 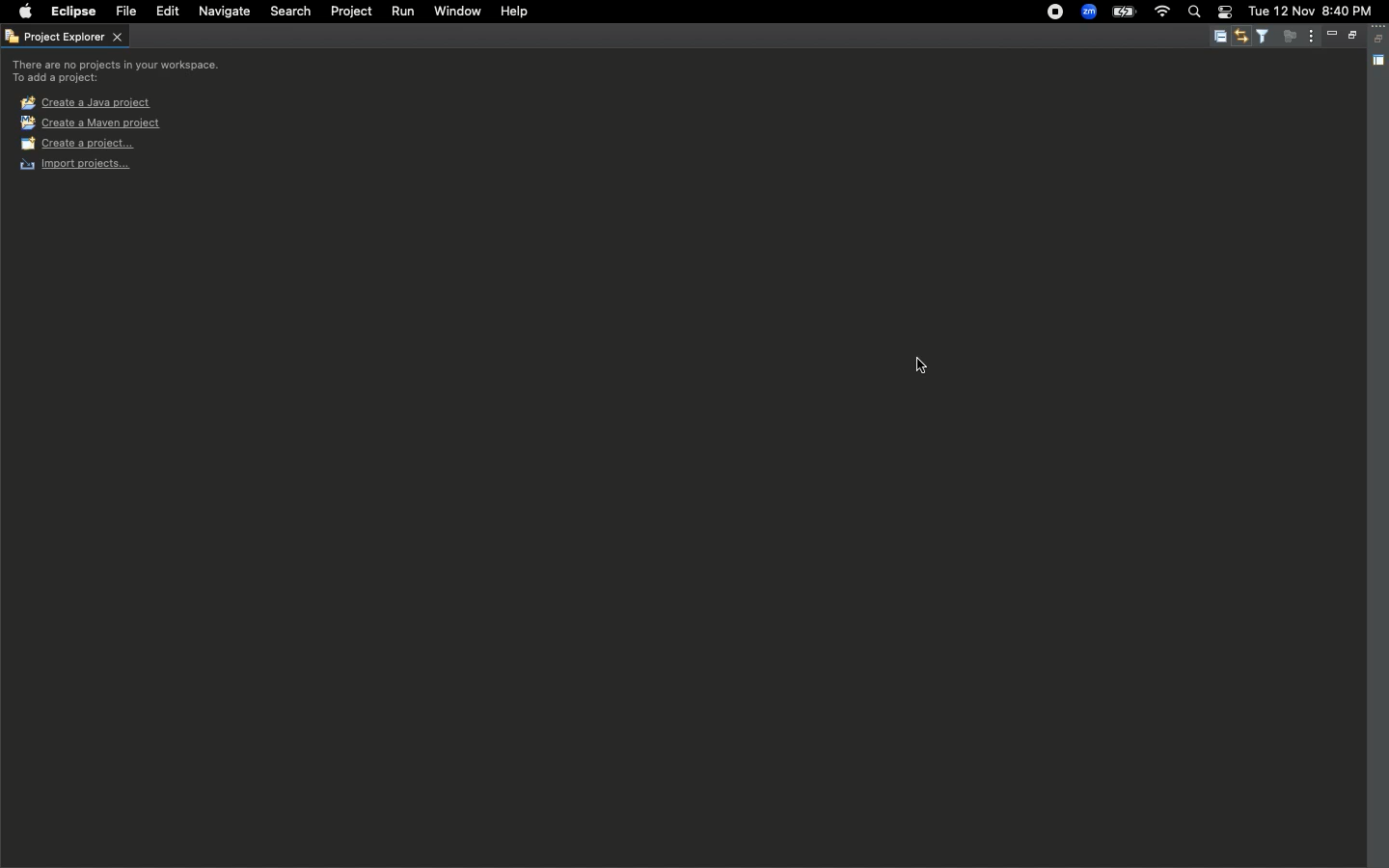 What do you see at coordinates (1266, 36) in the screenshot?
I see `Select and deselect filters ` at bounding box center [1266, 36].